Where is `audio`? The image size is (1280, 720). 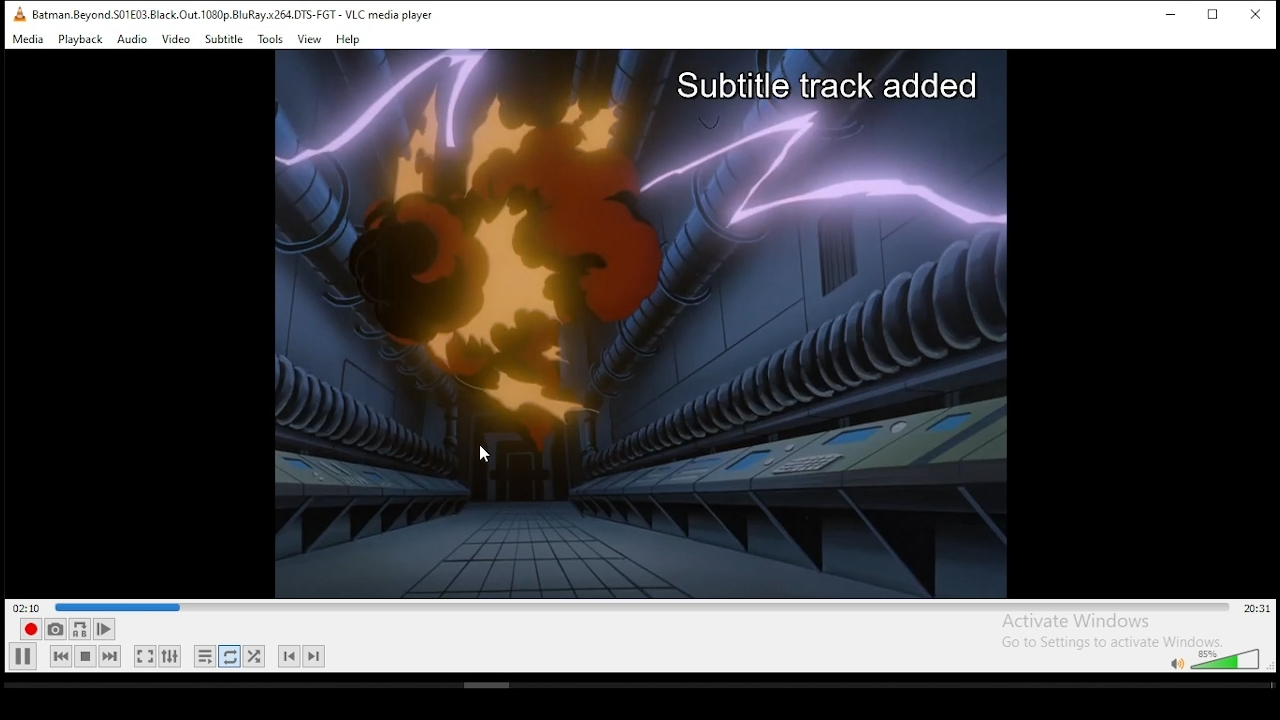 audio is located at coordinates (133, 40).